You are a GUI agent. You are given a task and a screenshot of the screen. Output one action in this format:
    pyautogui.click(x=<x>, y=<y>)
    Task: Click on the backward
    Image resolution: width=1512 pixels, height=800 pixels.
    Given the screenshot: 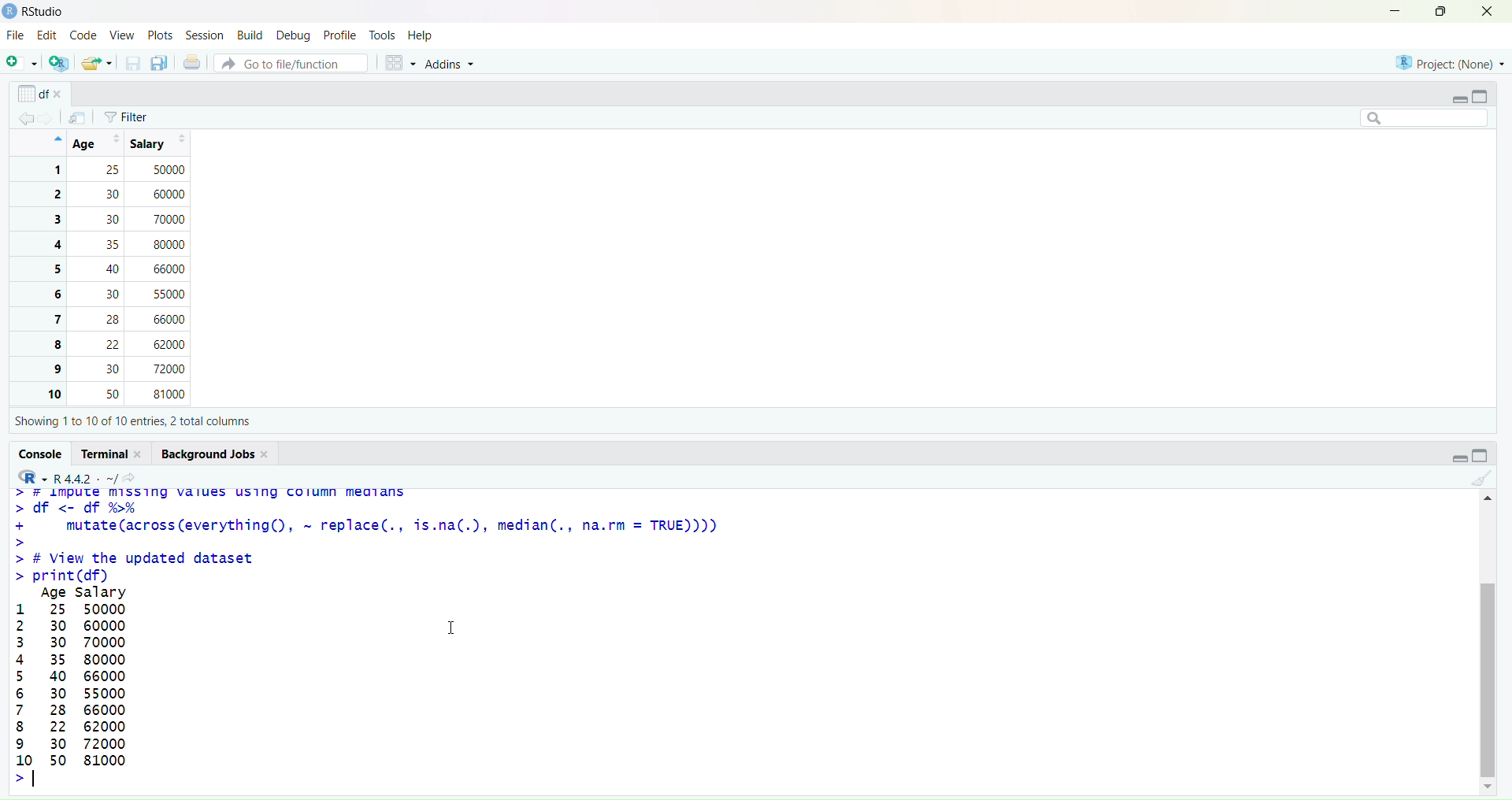 What is the action you would take?
    pyautogui.click(x=27, y=117)
    